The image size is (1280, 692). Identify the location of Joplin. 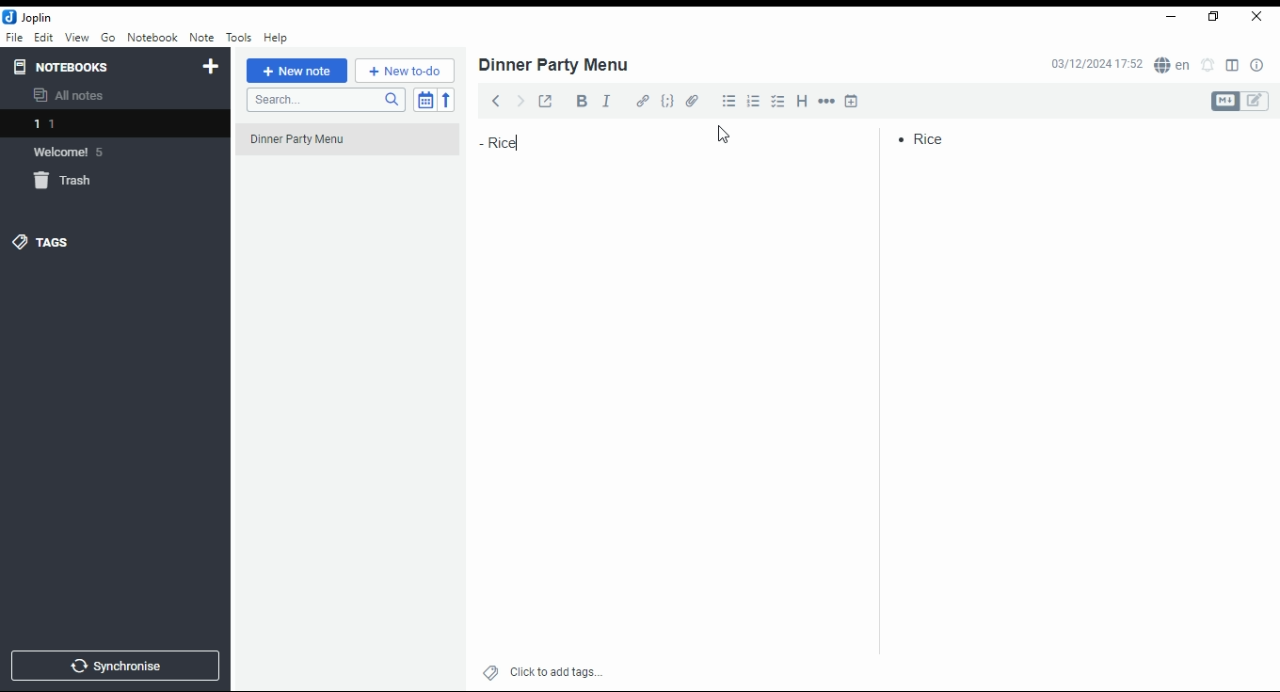
(29, 17).